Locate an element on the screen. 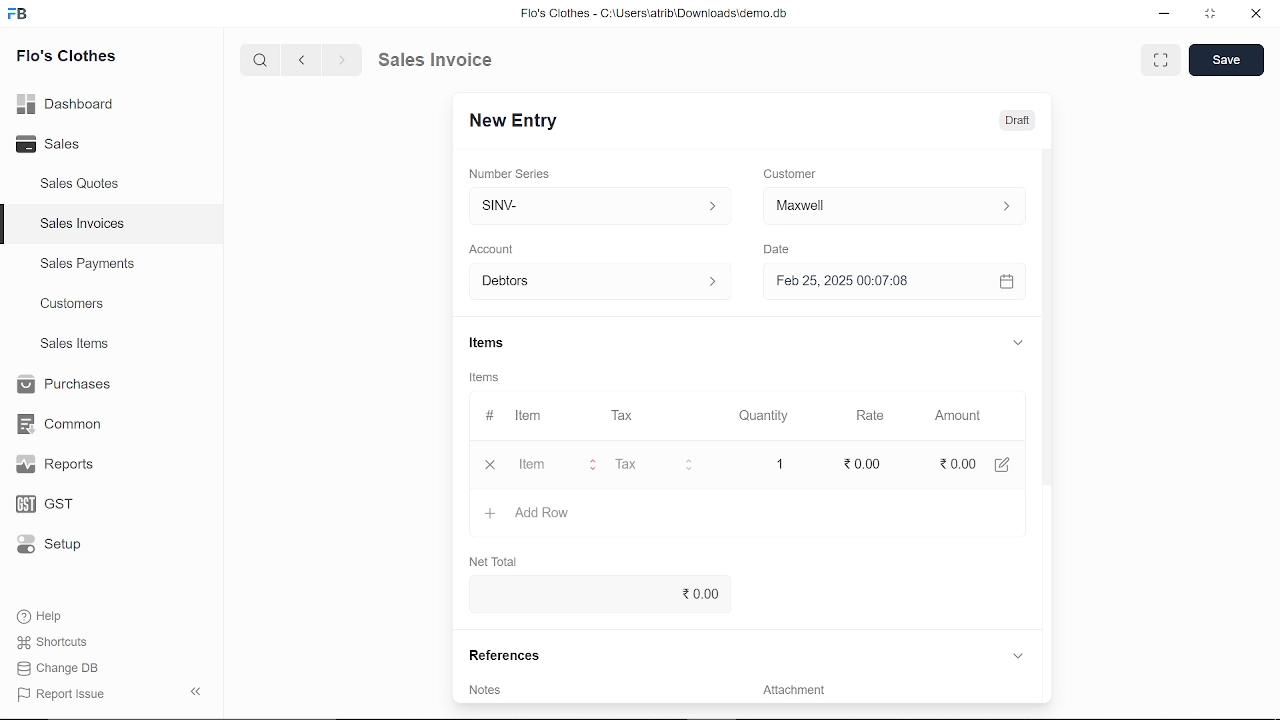   Quantity is located at coordinates (760, 416).